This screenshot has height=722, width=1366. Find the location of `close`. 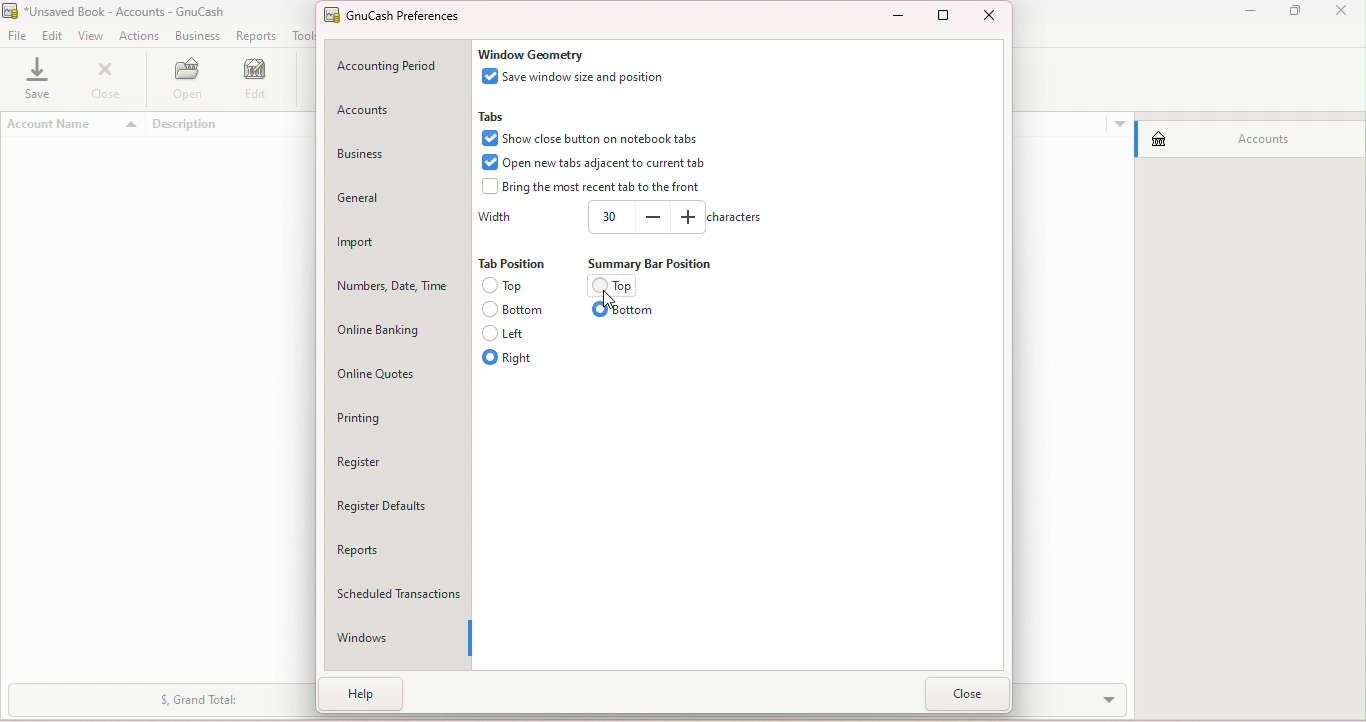

close is located at coordinates (1346, 13).